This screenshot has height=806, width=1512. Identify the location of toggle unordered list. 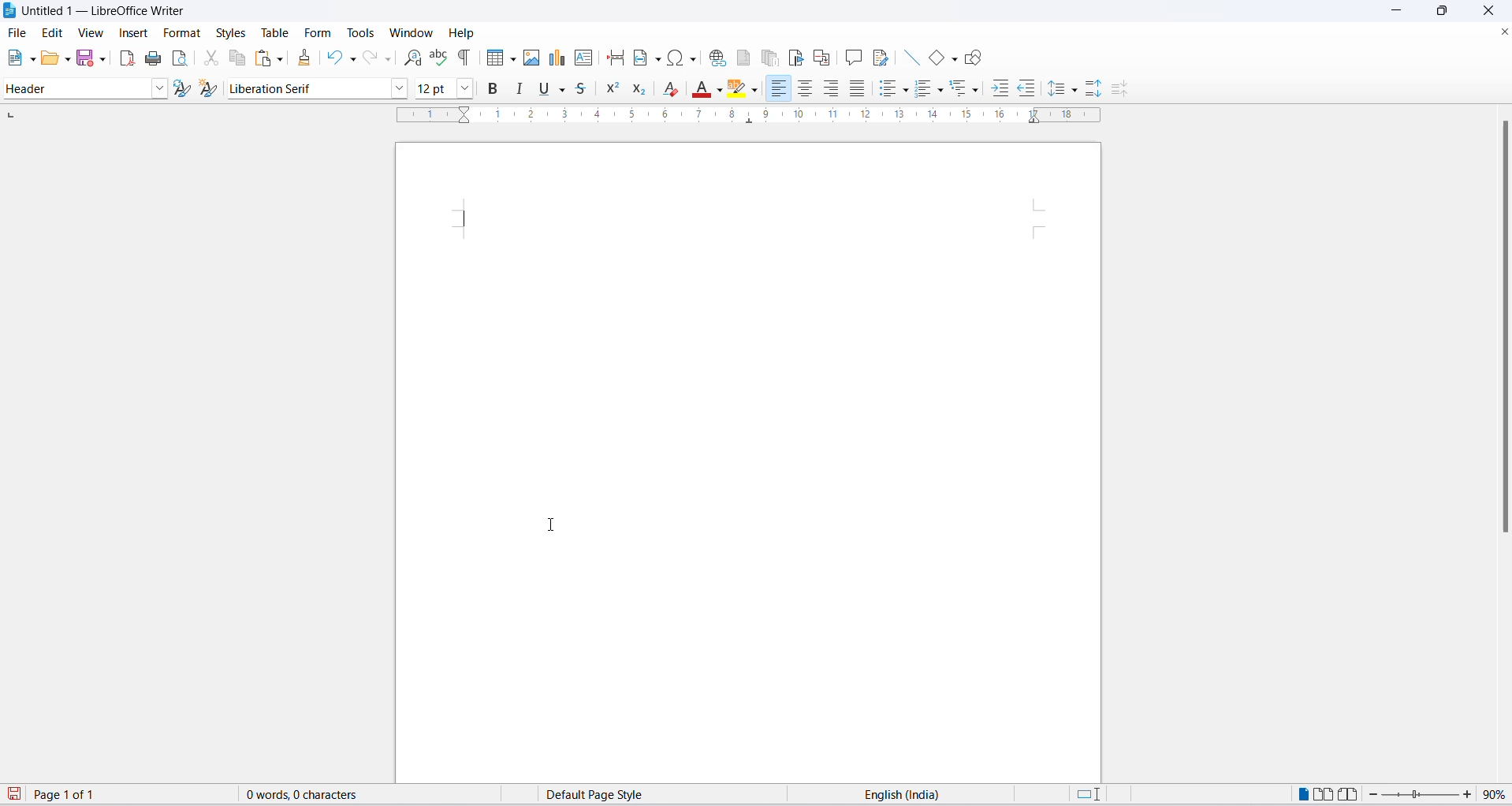
(884, 89).